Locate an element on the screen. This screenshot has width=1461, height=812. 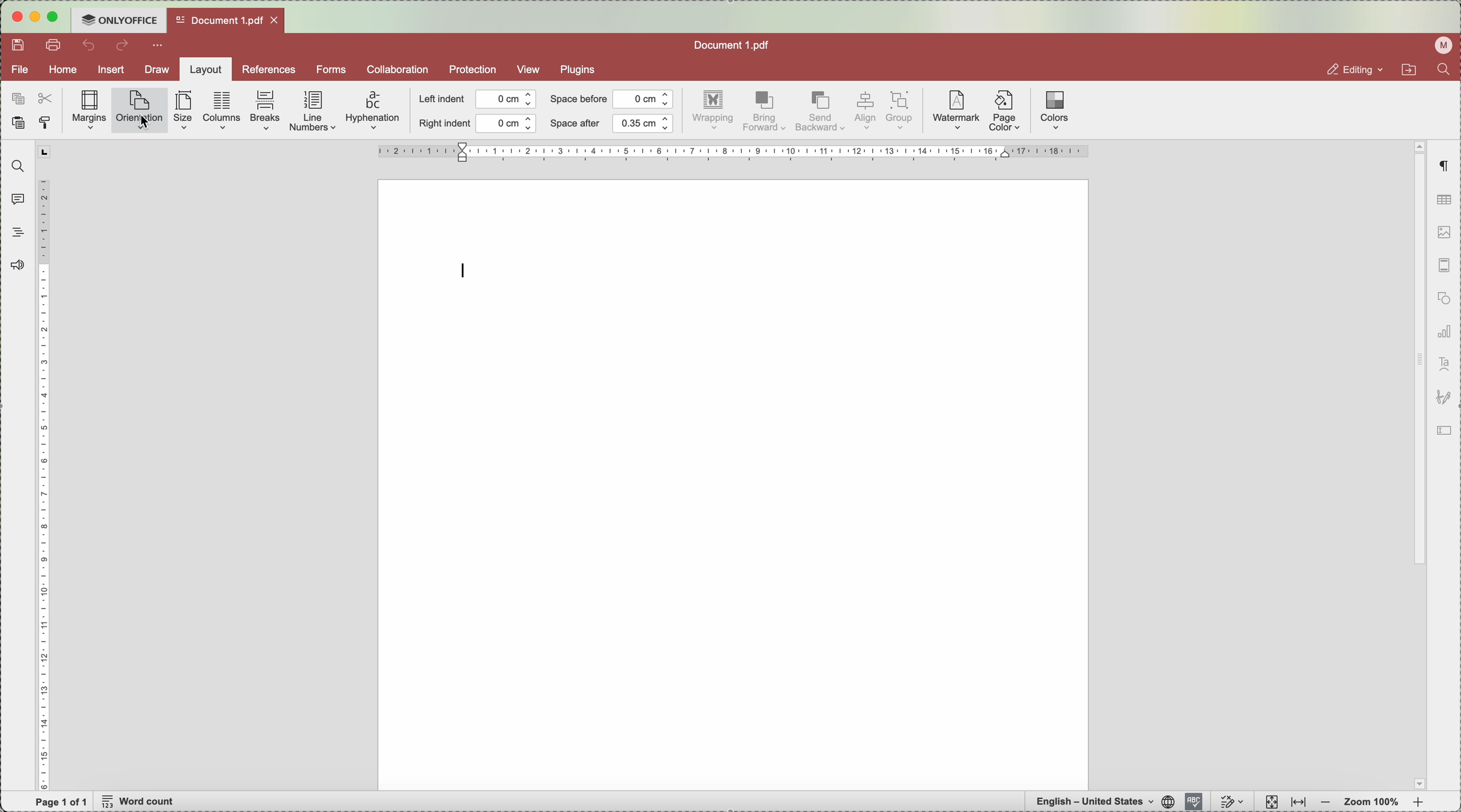
save is located at coordinates (20, 45).